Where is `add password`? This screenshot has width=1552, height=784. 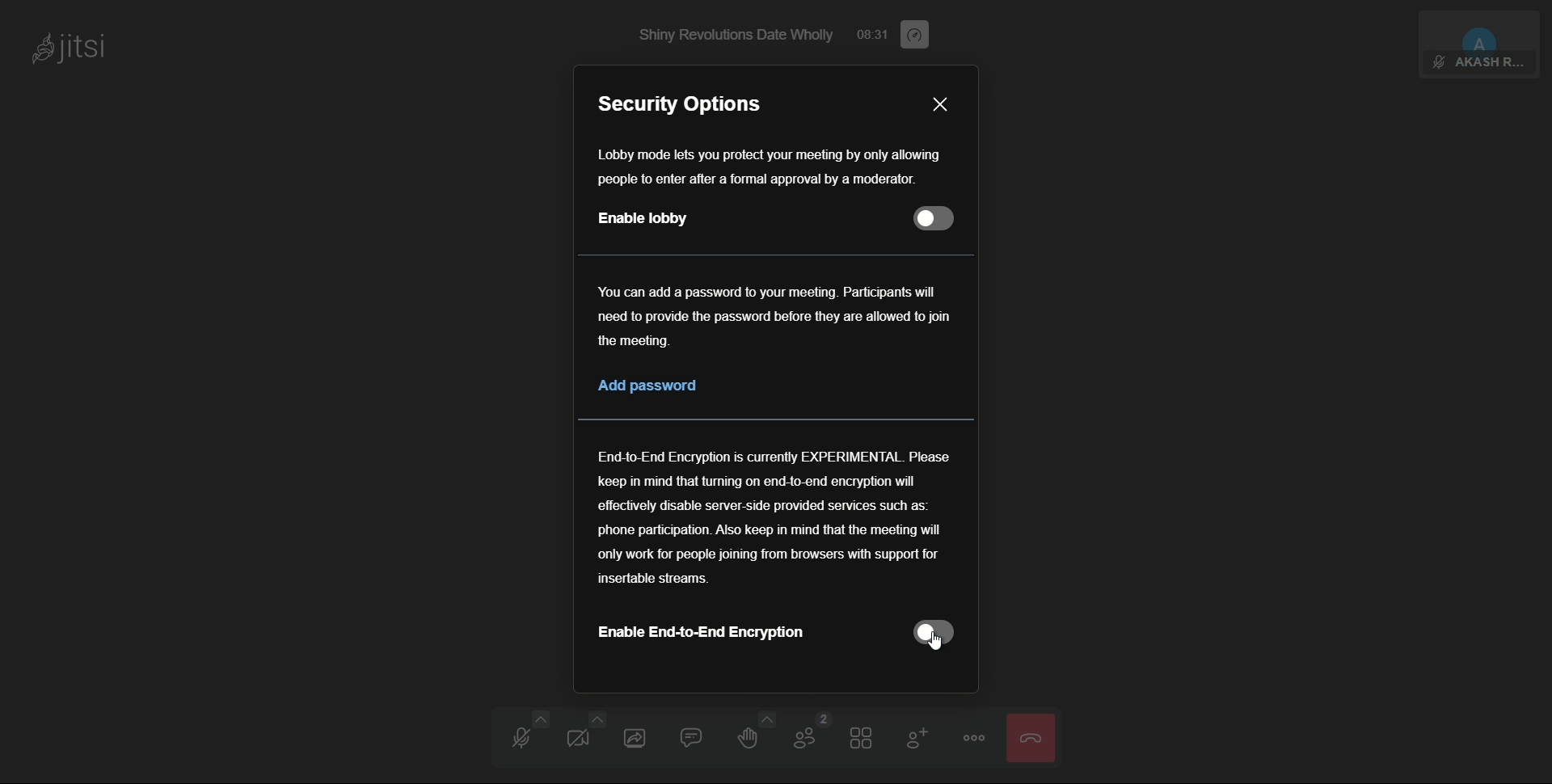 add password is located at coordinates (648, 386).